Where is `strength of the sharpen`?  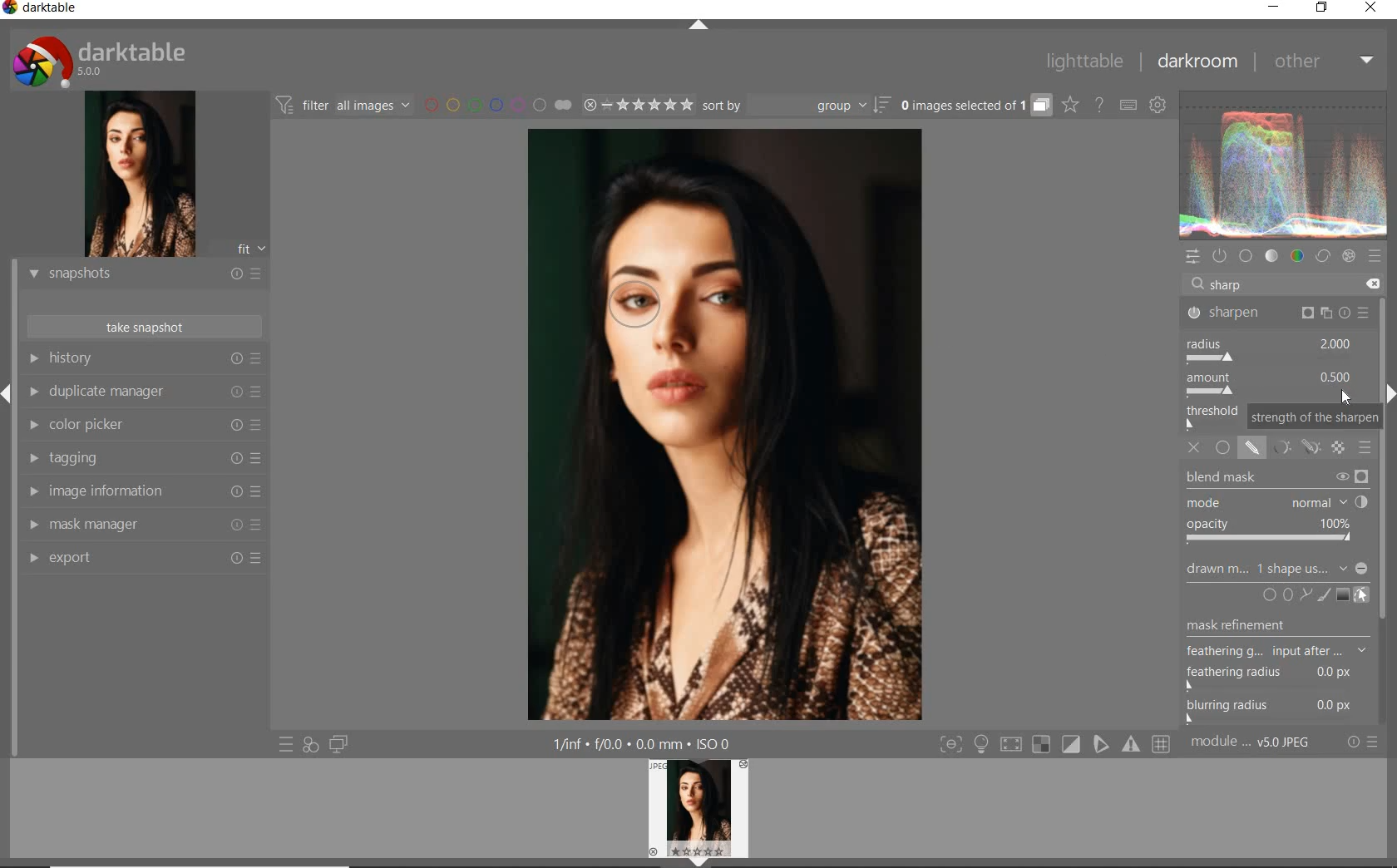
strength of the sharpen is located at coordinates (1314, 418).